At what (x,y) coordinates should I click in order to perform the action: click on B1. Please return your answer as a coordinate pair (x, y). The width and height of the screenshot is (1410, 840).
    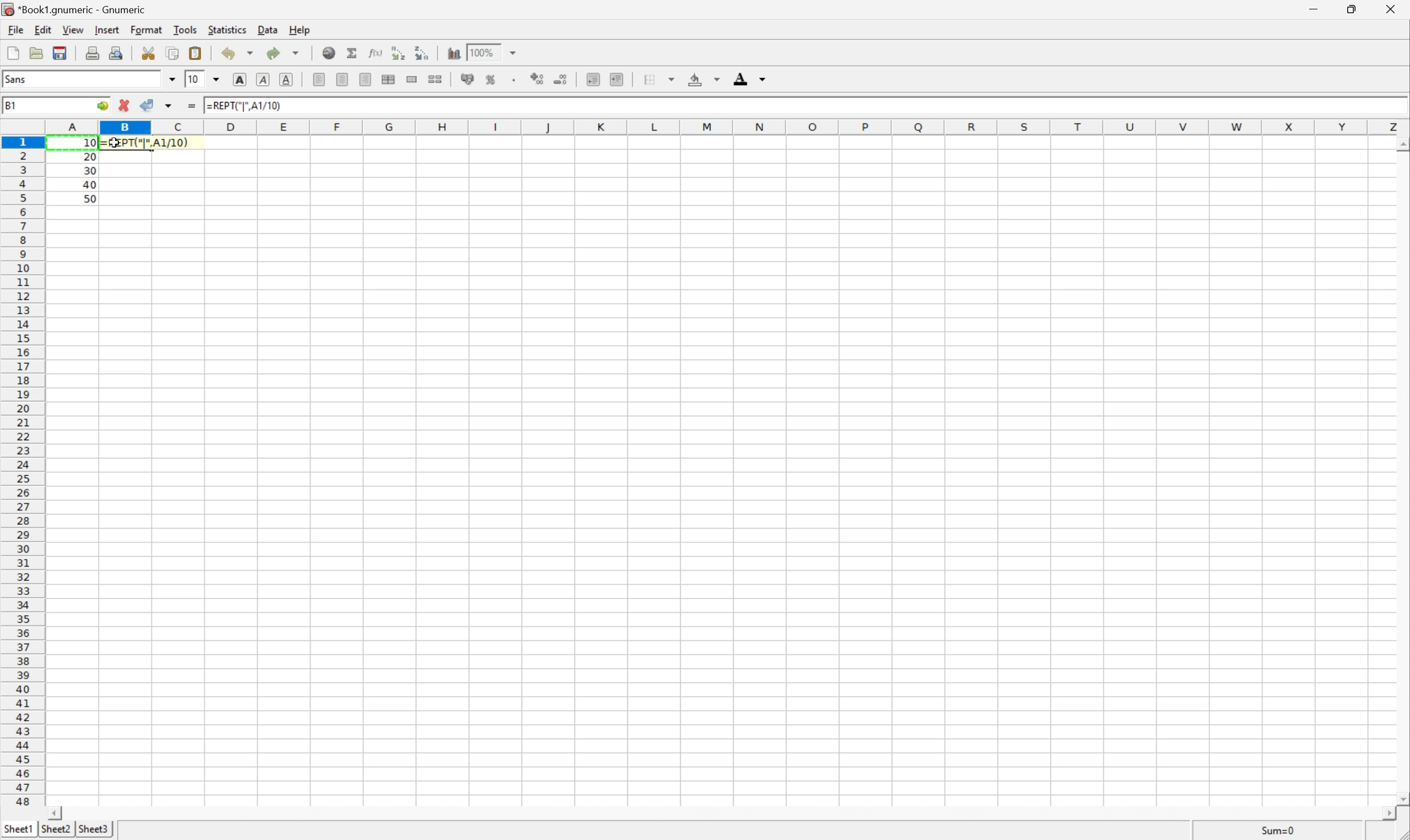
    Looking at the image, I should click on (11, 106).